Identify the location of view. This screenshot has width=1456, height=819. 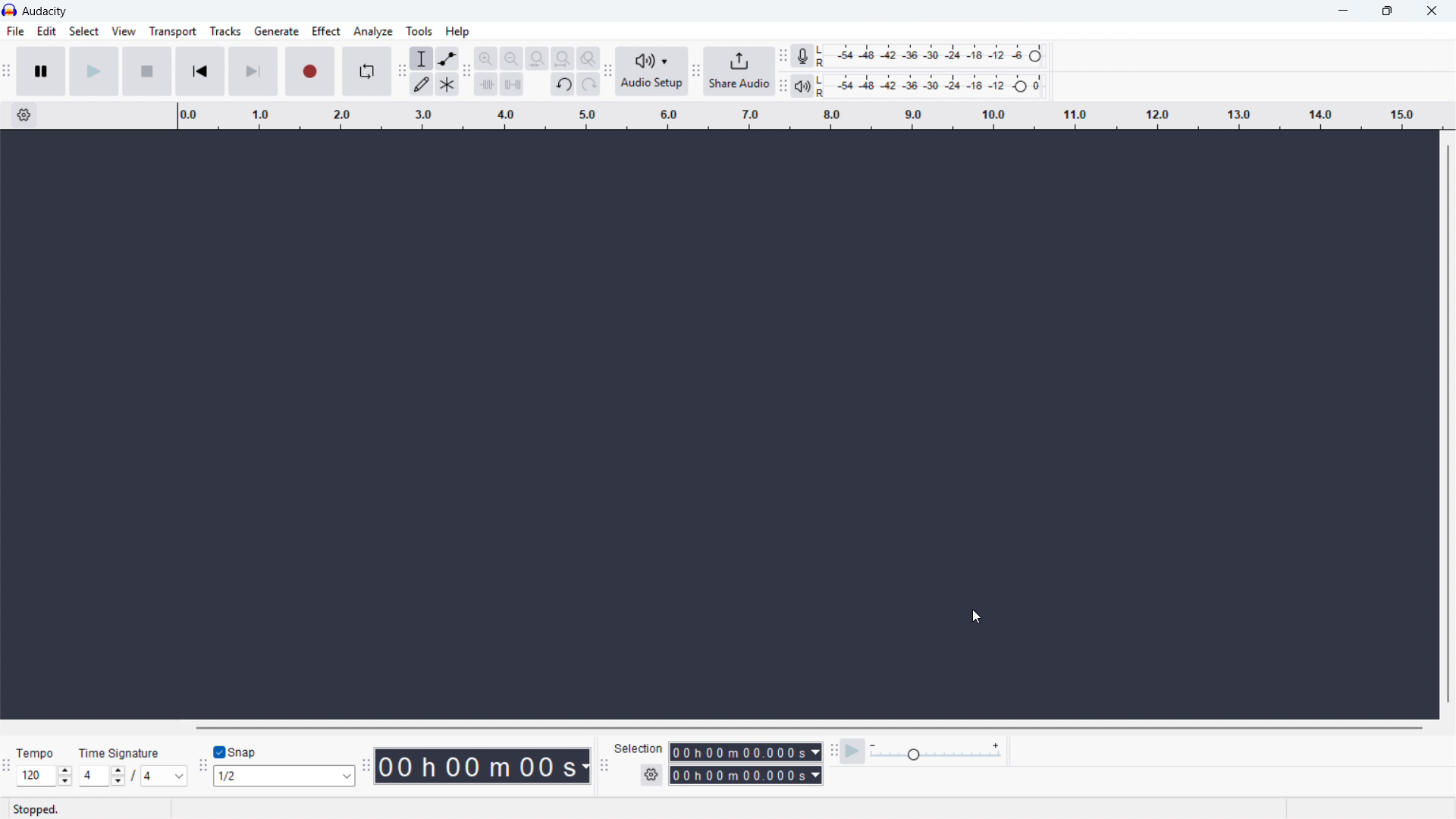
(124, 31).